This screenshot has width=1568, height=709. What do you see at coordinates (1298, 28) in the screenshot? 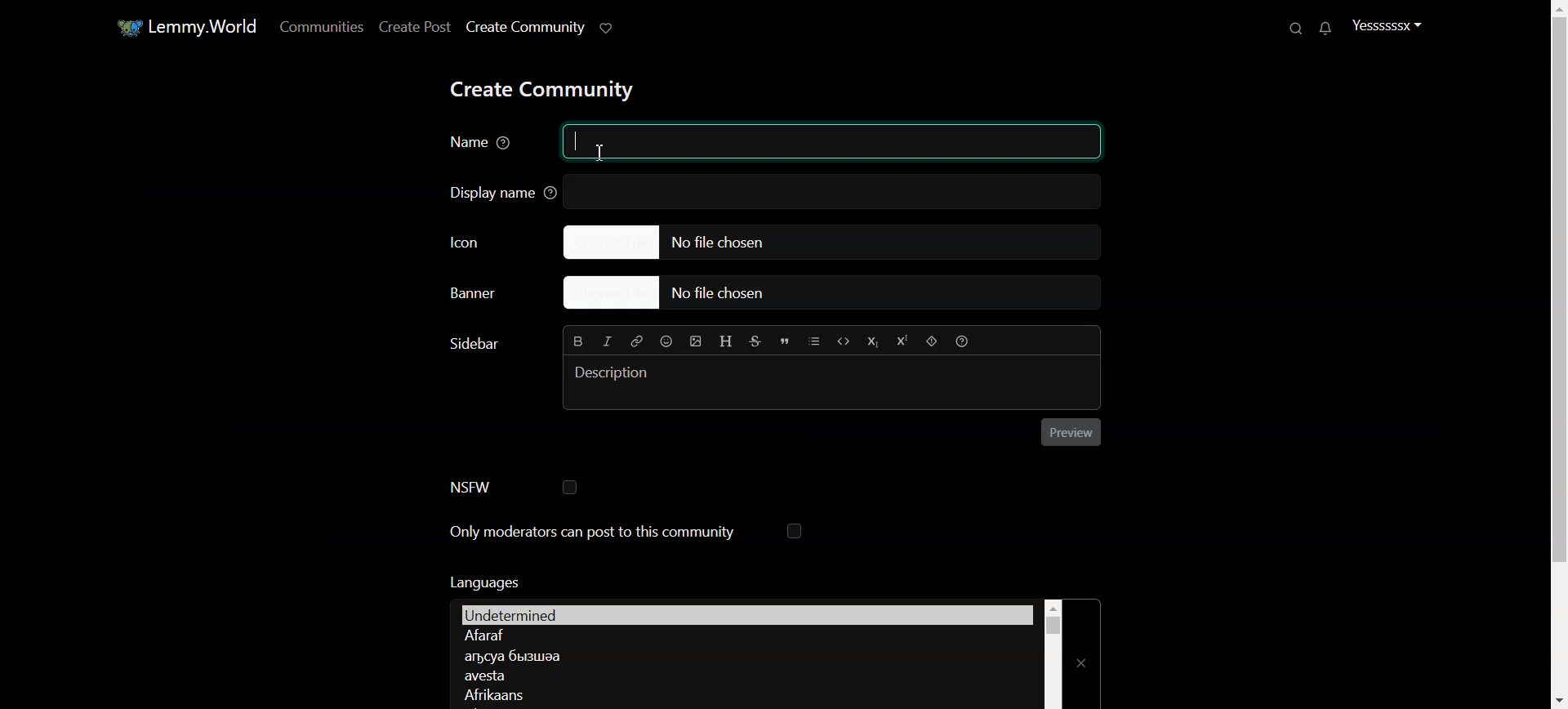
I see `Search` at bounding box center [1298, 28].